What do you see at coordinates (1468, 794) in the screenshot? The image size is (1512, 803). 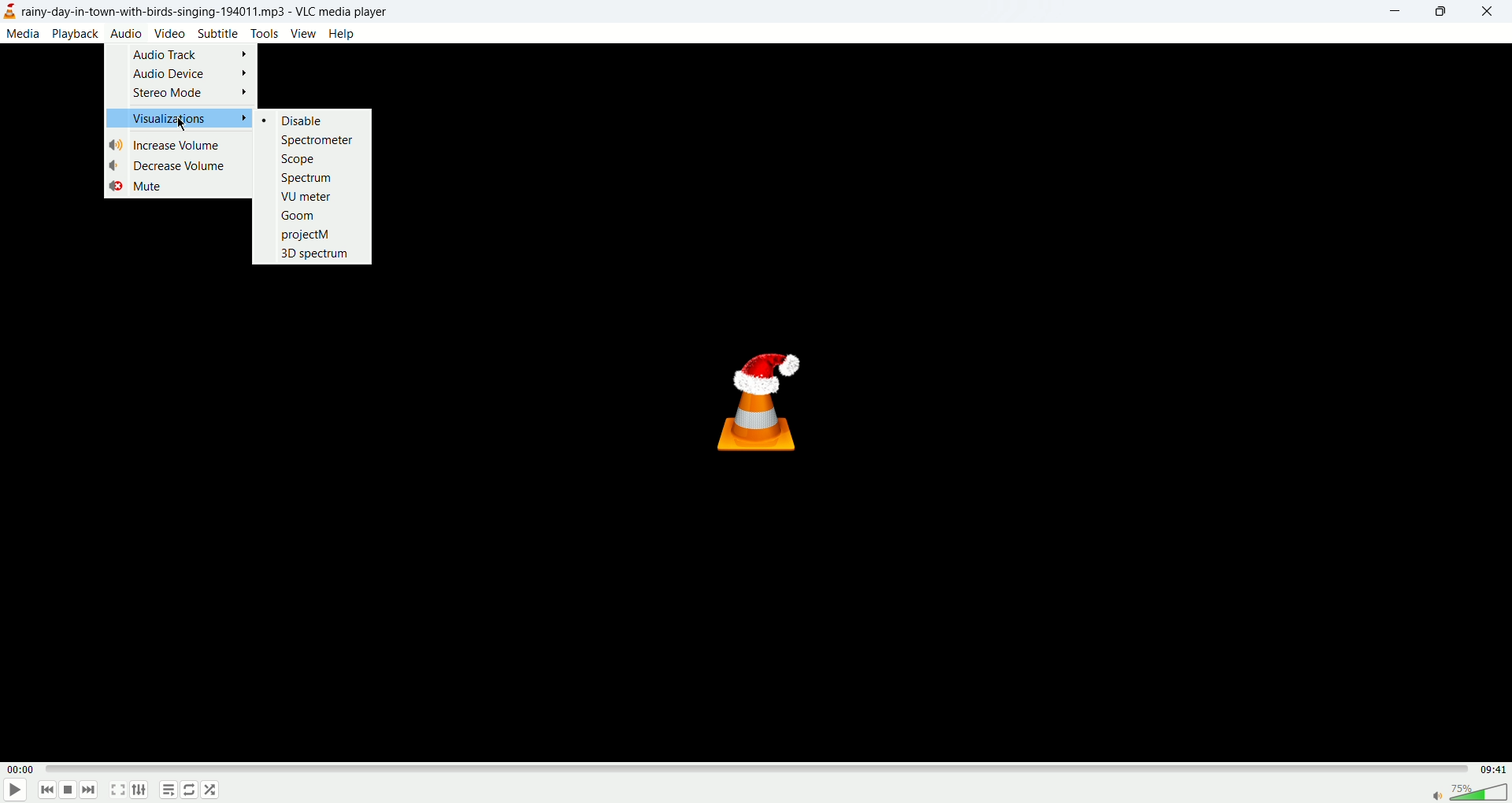 I see `volume bar` at bounding box center [1468, 794].